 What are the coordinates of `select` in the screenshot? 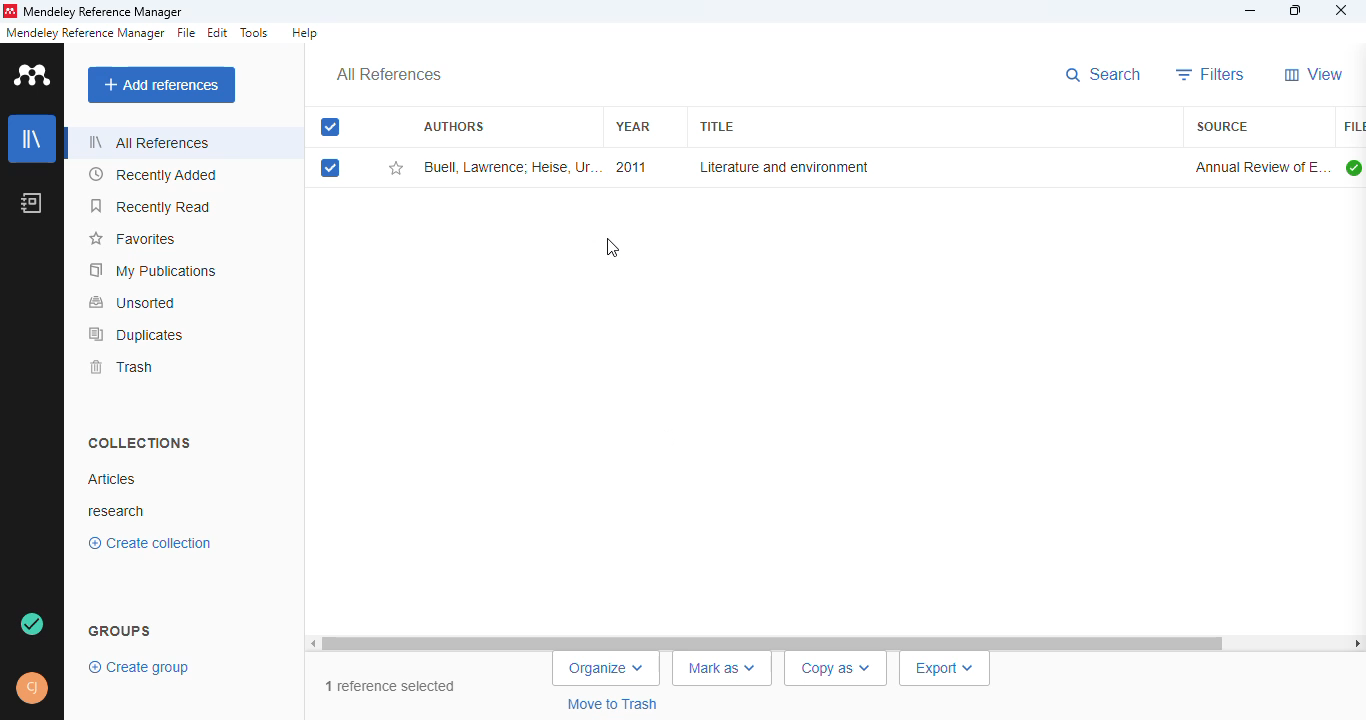 It's located at (331, 127).